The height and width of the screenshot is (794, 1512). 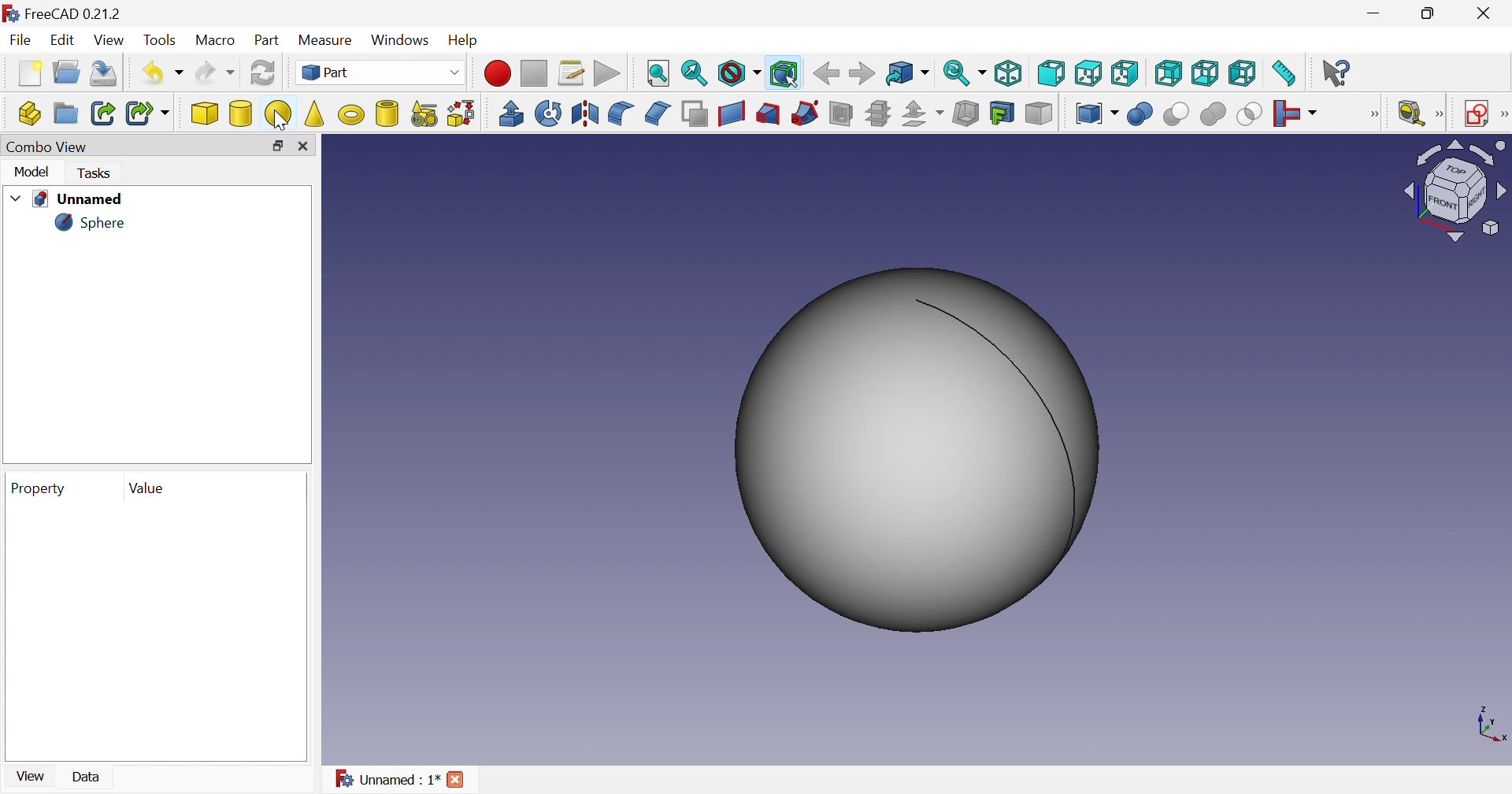 What do you see at coordinates (695, 113) in the screenshot?
I see `Make face from wires` at bounding box center [695, 113].